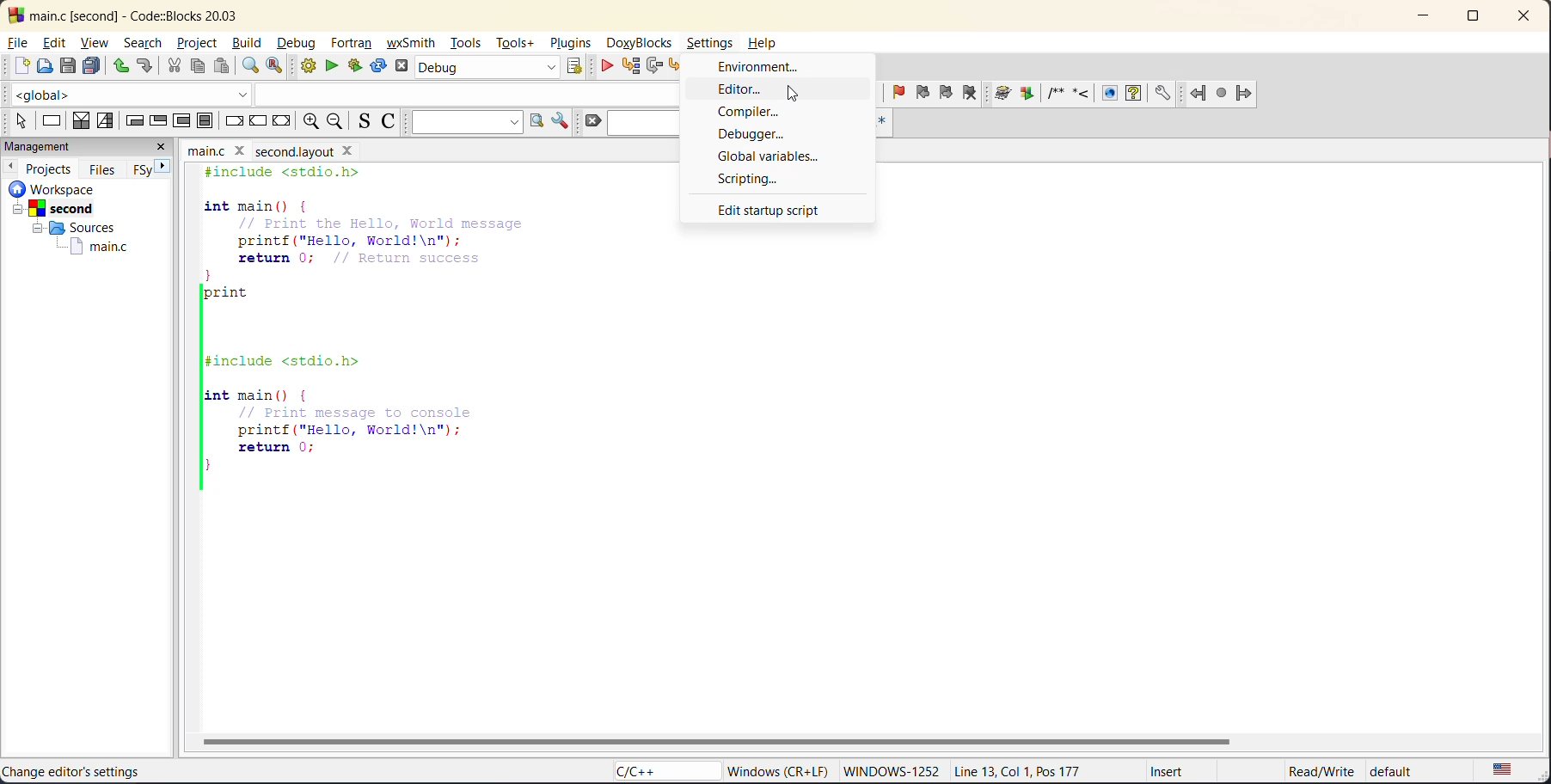 The width and height of the screenshot is (1551, 784). What do you see at coordinates (603, 65) in the screenshot?
I see `debug` at bounding box center [603, 65].